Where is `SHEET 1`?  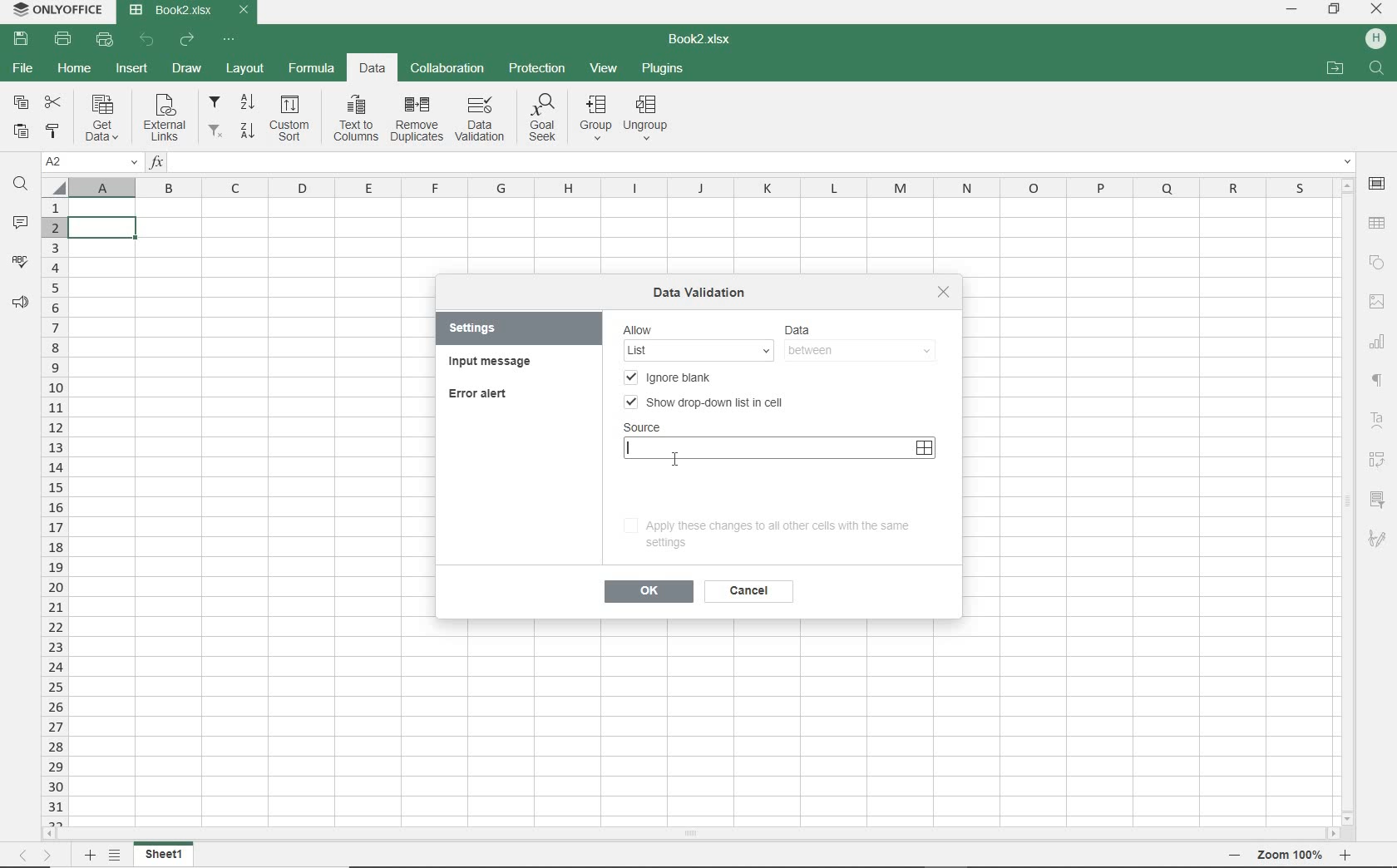
SHEET 1 is located at coordinates (165, 855).